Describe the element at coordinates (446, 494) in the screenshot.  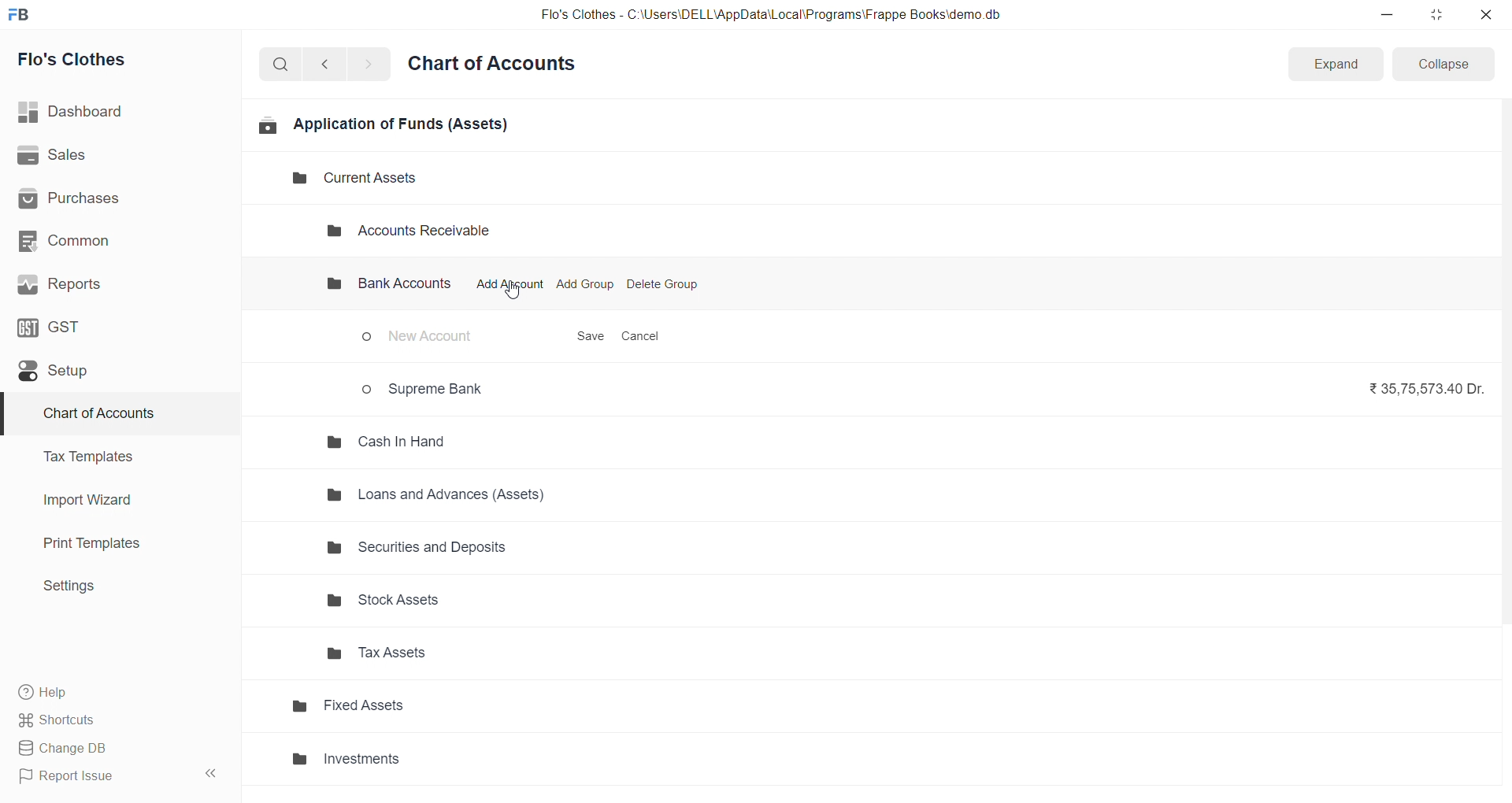
I see `Loans and Advances (Assets)` at that location.